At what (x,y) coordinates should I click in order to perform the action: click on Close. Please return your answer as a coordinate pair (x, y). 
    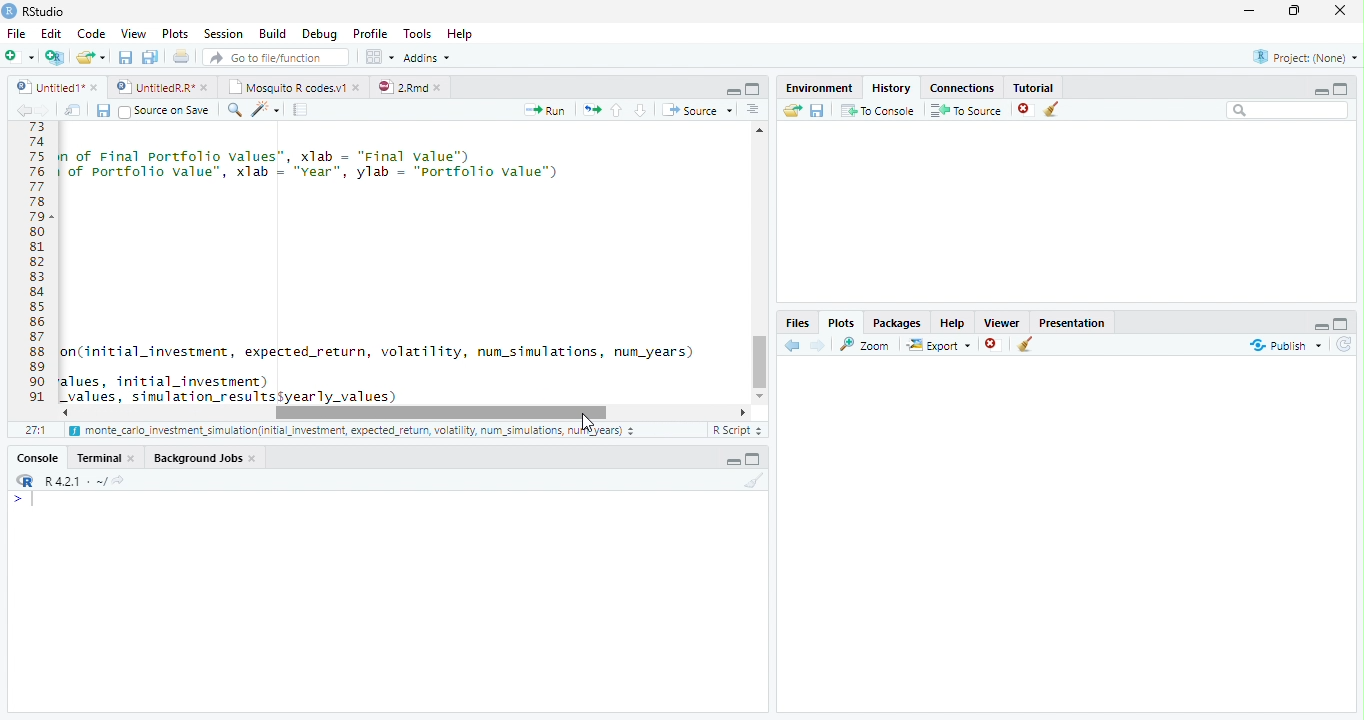
    Looking at the image, I should click on (1342, 12).